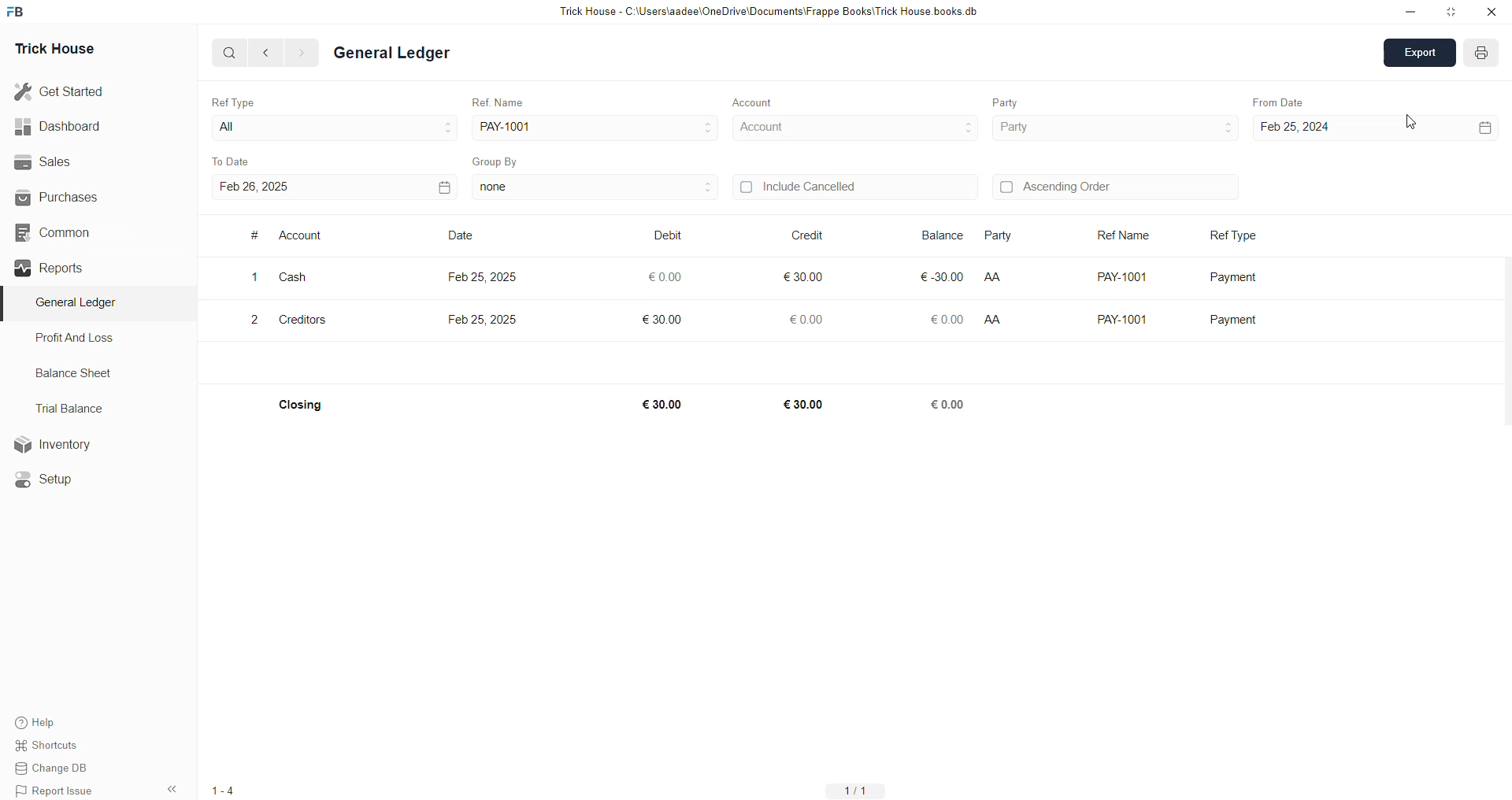  Describe the element at coordinates (1411, 122) in the screenshot. I see `cursor` at that location.